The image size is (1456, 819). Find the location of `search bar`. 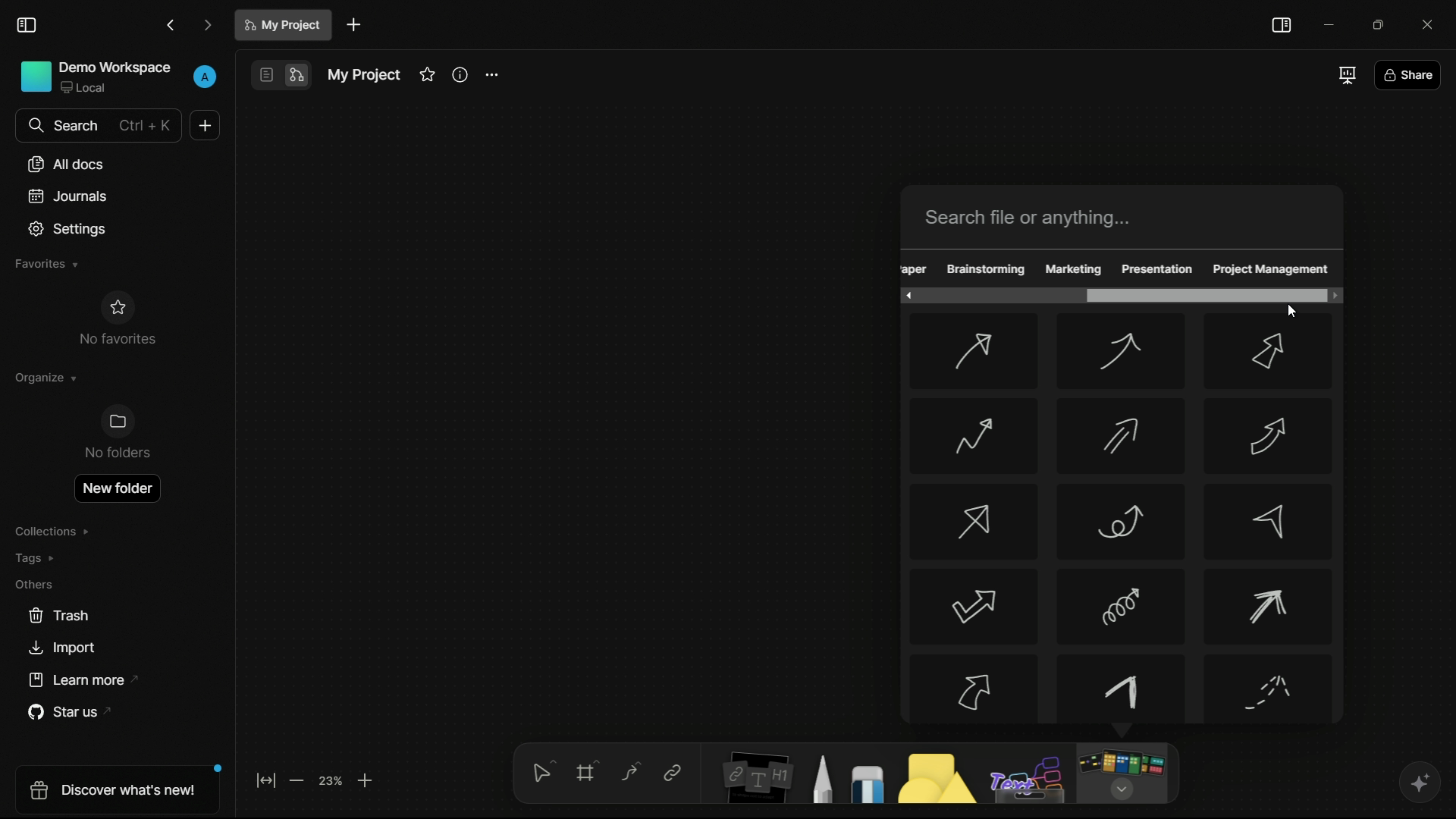

search bar is located at coordinates (1125, 217).